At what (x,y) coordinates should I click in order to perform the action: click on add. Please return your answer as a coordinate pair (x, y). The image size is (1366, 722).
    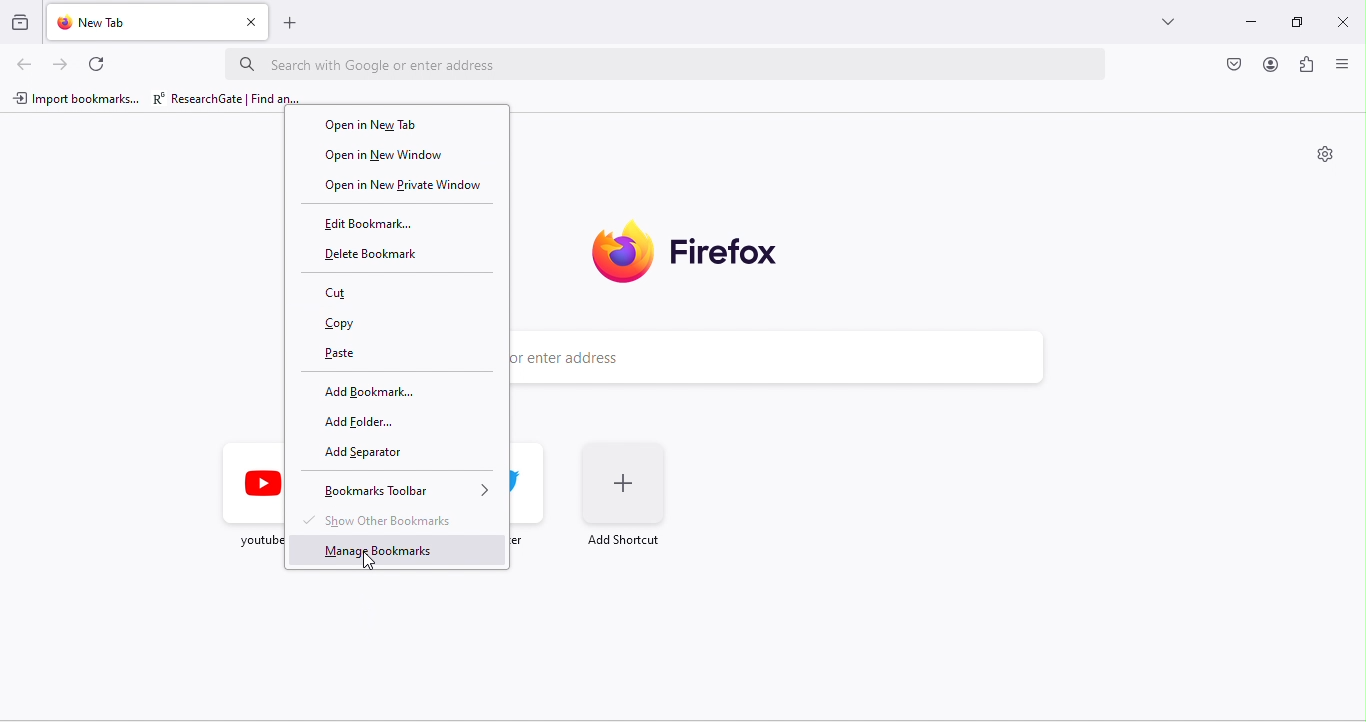
    Looking at the image, I should click on (295, 23).